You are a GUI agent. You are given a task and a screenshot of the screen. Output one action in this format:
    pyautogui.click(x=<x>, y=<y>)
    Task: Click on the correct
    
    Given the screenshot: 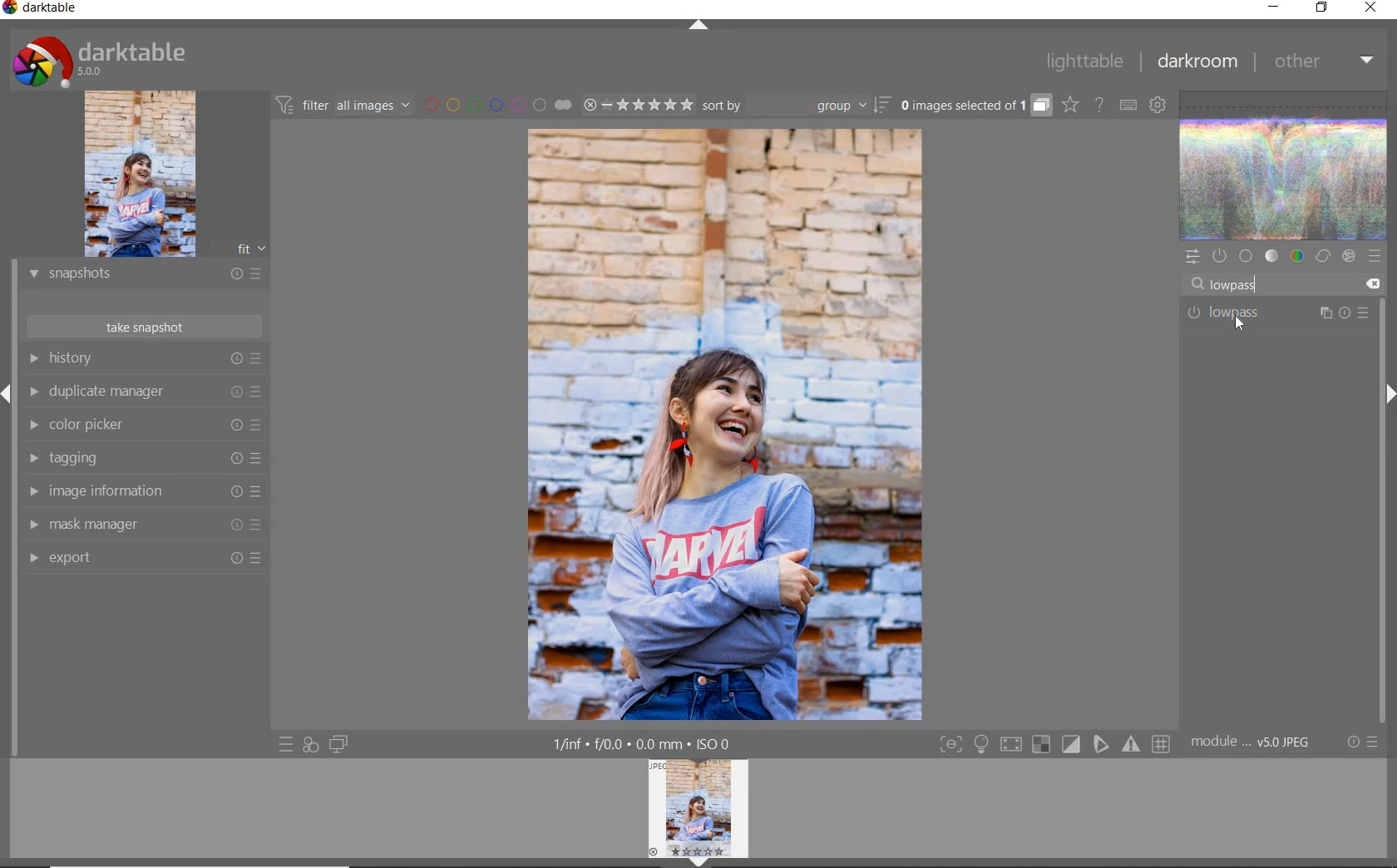 What is the action you would take?
    pyautogui.click(x=1322, y=257)
    